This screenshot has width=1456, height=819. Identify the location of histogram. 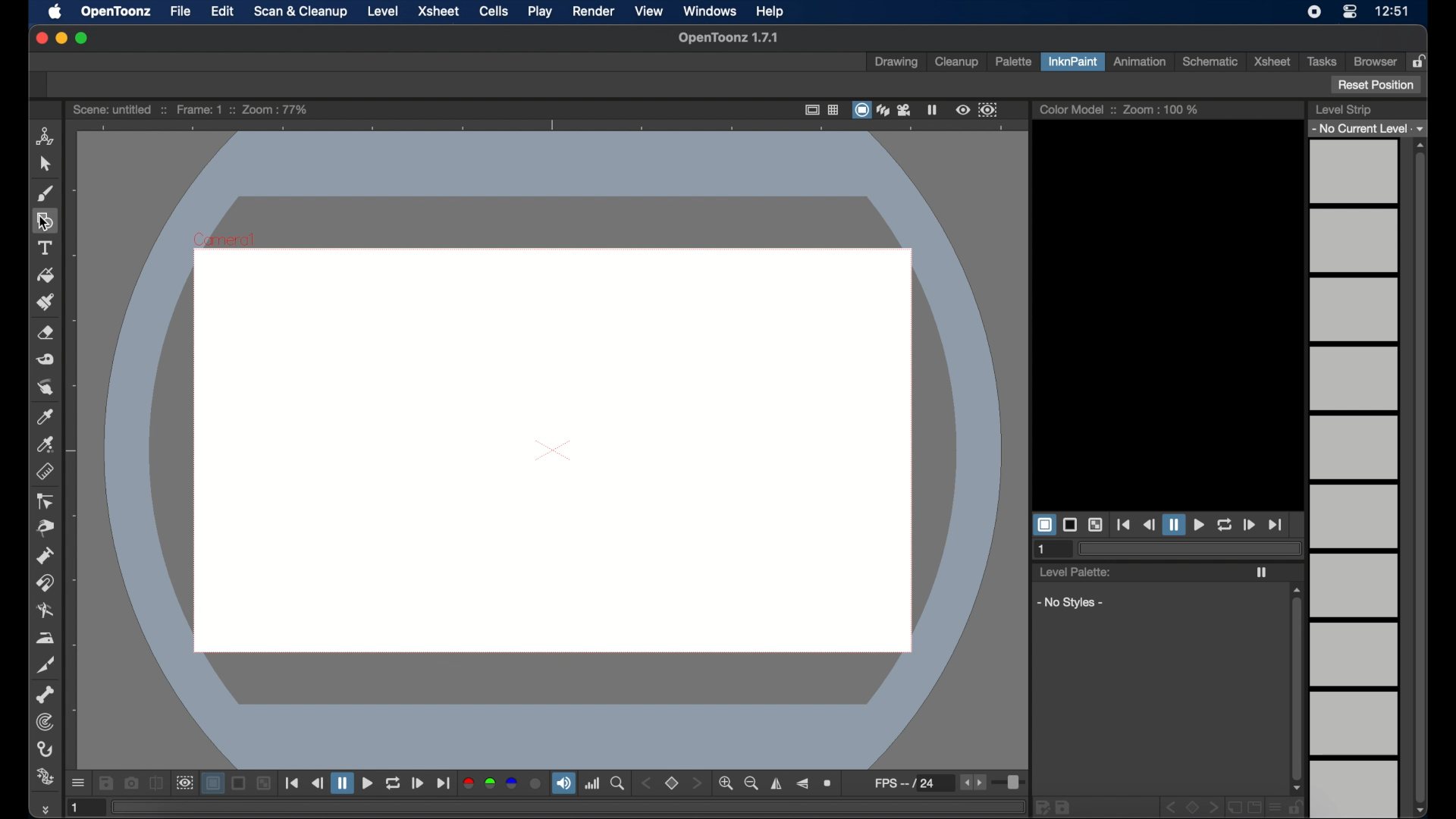
(592, 783).